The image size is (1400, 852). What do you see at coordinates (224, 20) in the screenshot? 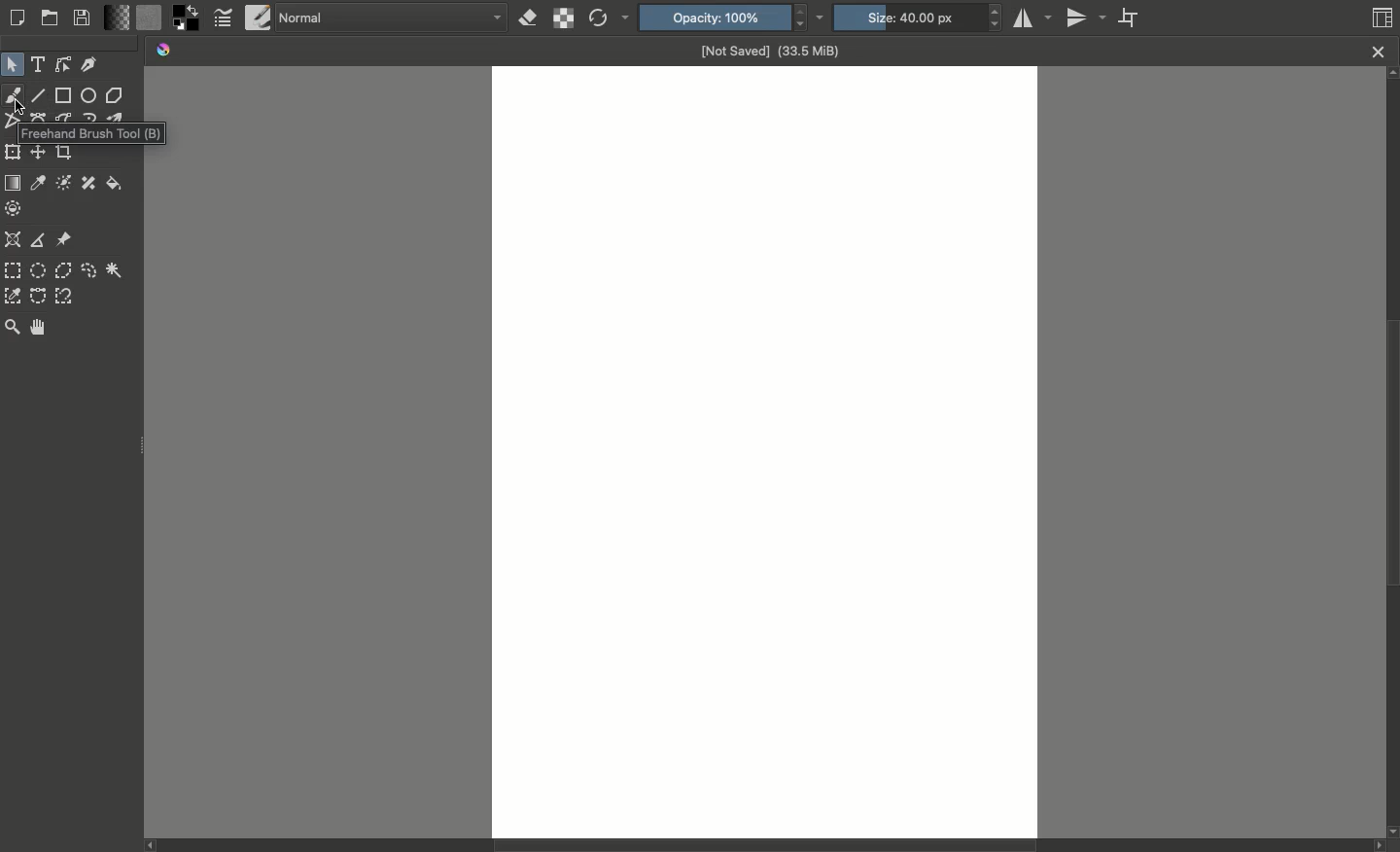
I see `Edit brush settings` at bounding box center [224, 20].